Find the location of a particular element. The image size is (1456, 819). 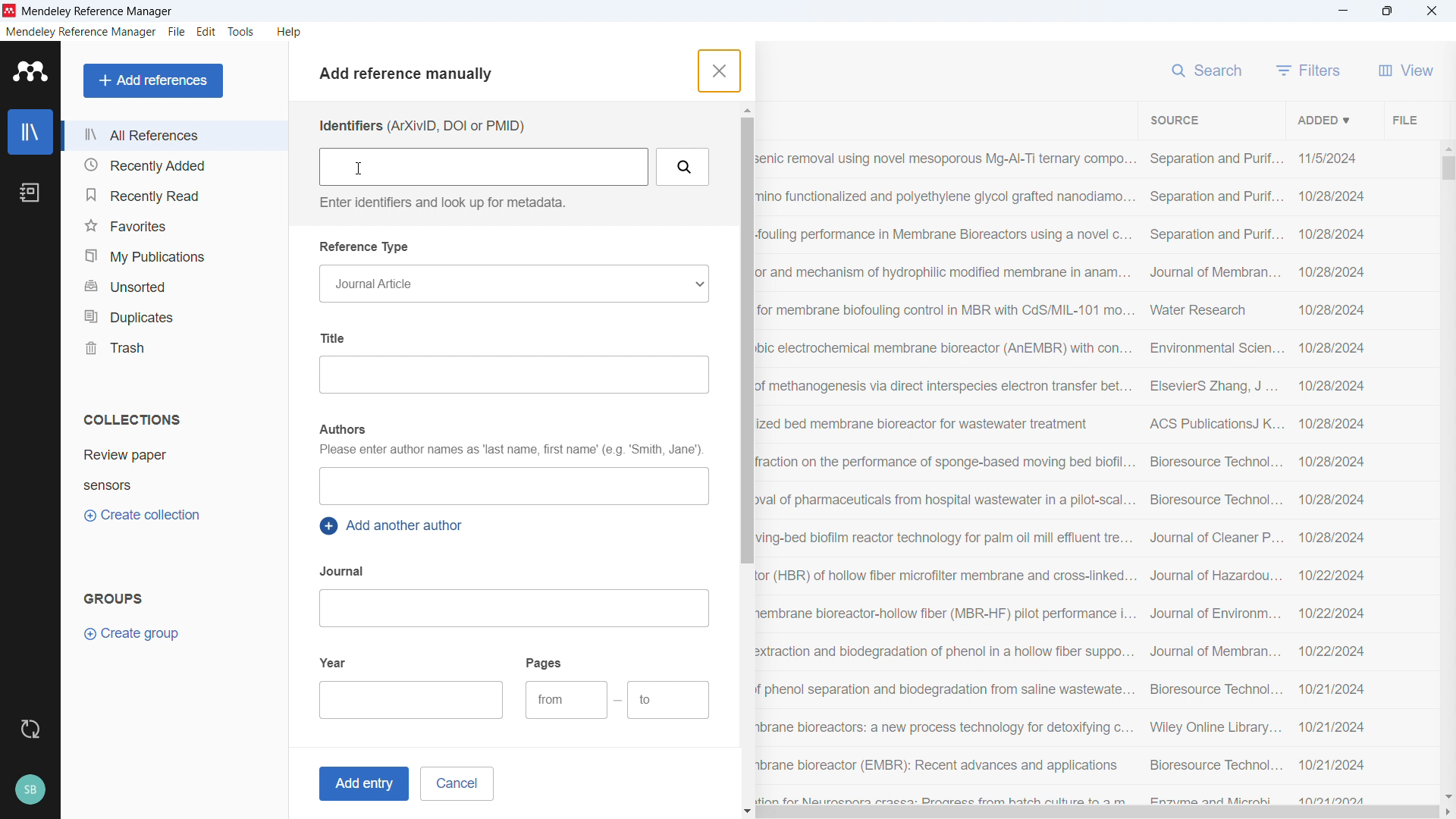

Mendeley reference manager  is located at coordinates (81, 32).